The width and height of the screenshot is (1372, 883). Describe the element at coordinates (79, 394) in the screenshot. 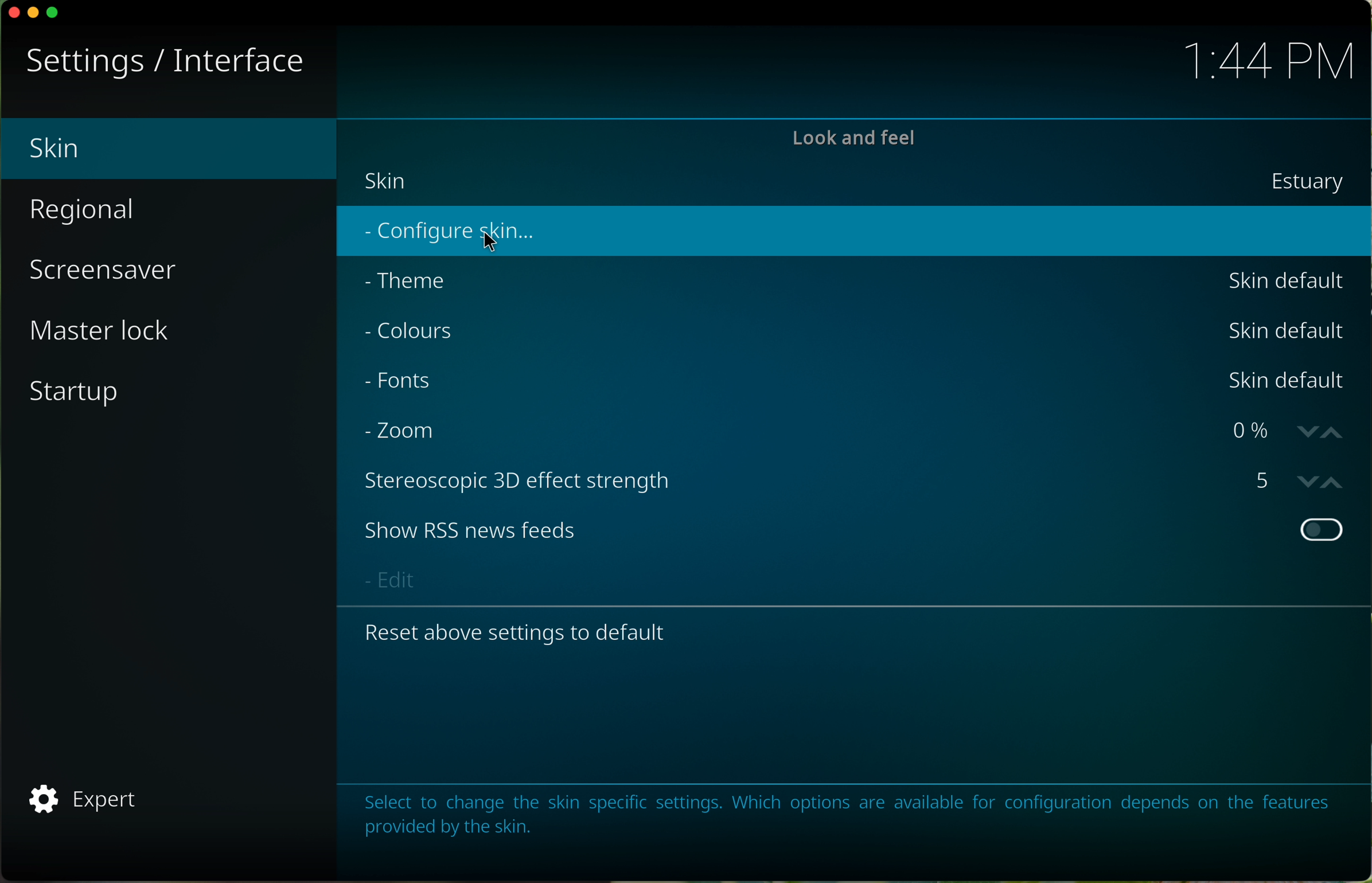

I see `startup` at that location.